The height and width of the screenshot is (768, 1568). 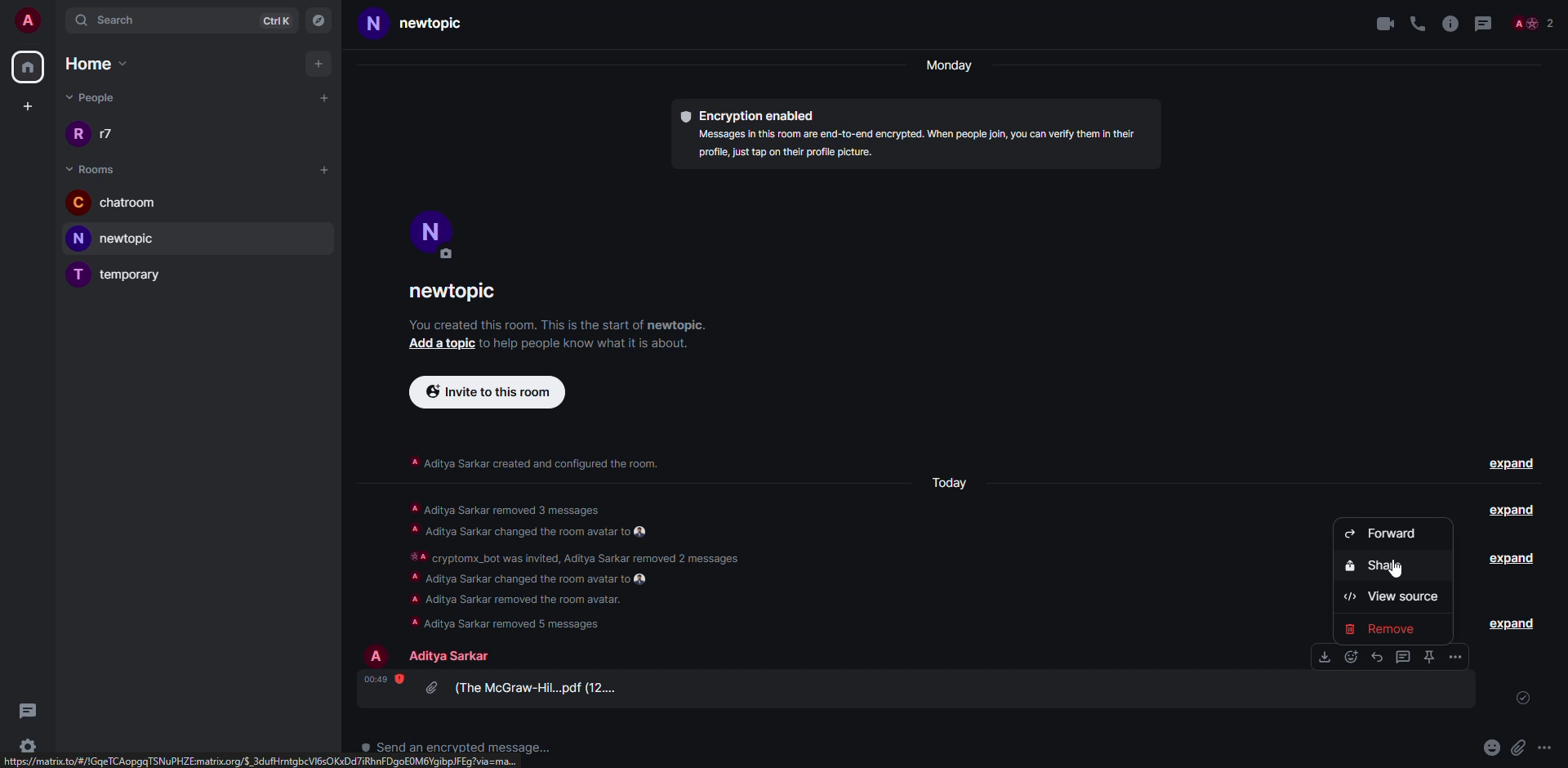 What do you see at coordinates (1571, 490) in the screenshot?
I see `scroll bar` at bounding box center [1571, 490].